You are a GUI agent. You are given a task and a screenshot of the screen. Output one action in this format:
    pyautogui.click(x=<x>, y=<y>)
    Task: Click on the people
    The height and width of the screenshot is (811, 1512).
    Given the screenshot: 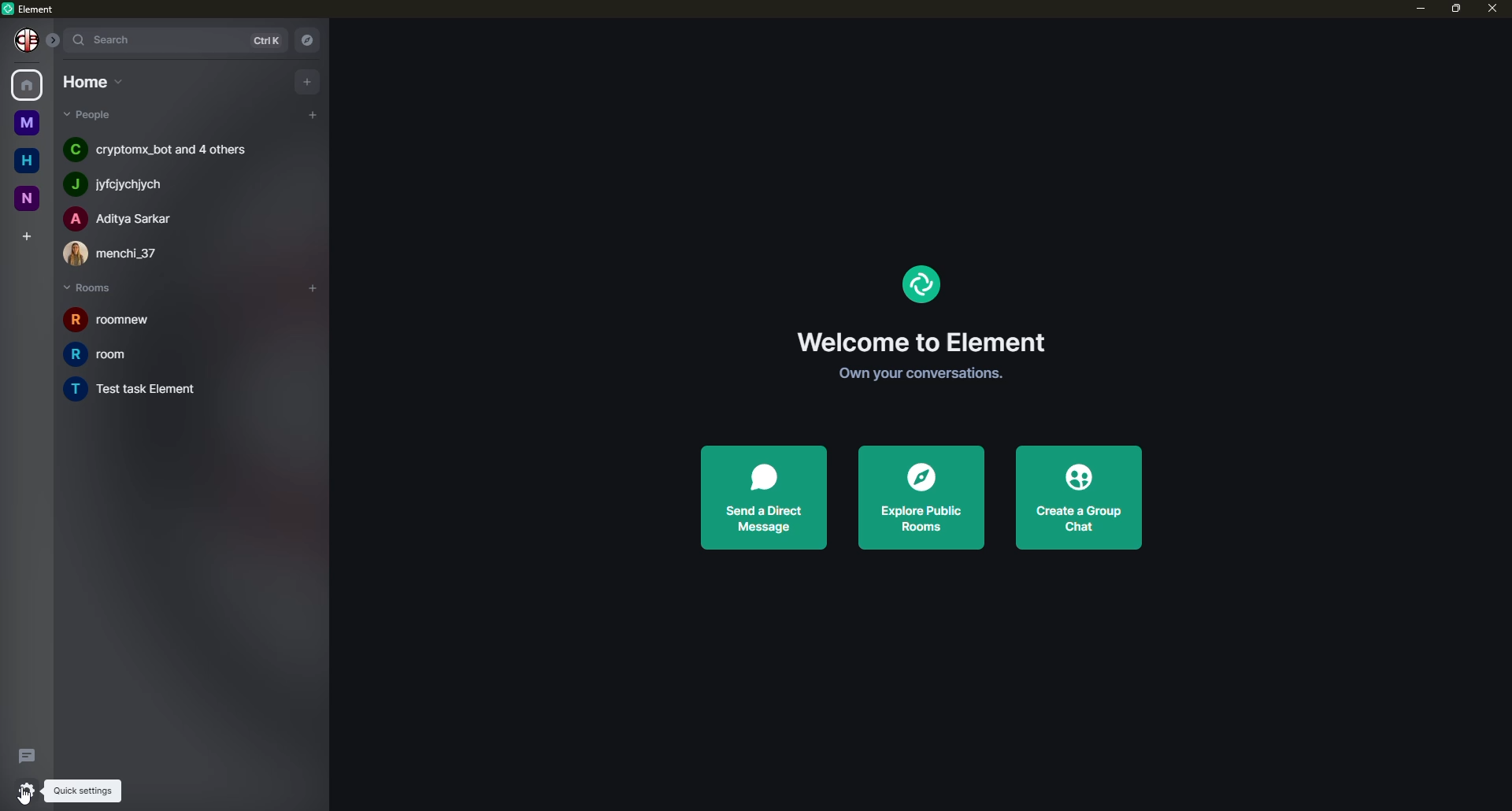 What is the action you would take?
    pyautogui.click(x=120, y=218)
    